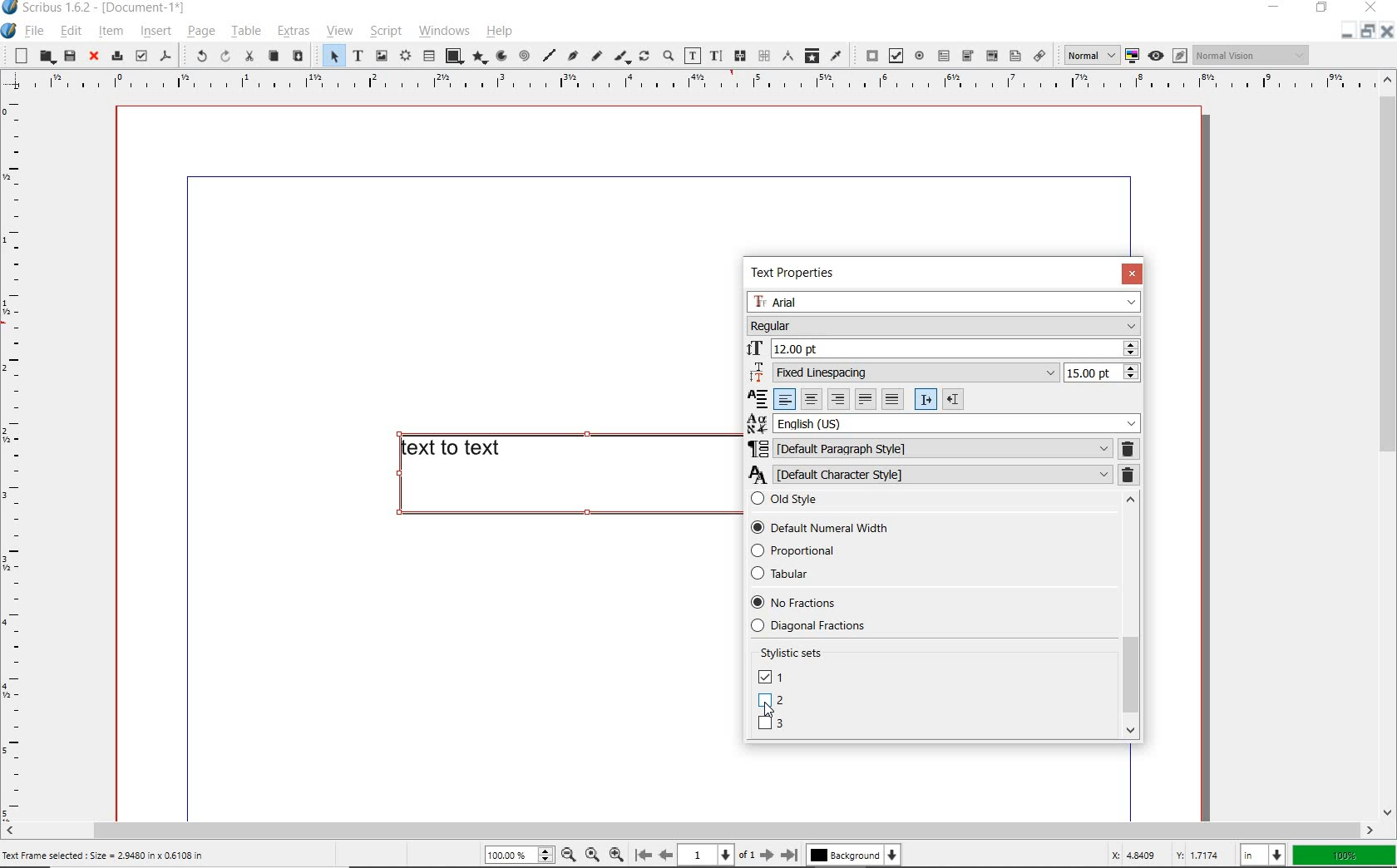  What do you see at coordinates (768, 710) in the screenshot?
I see `Cursor` at bounding box center [768, 710].